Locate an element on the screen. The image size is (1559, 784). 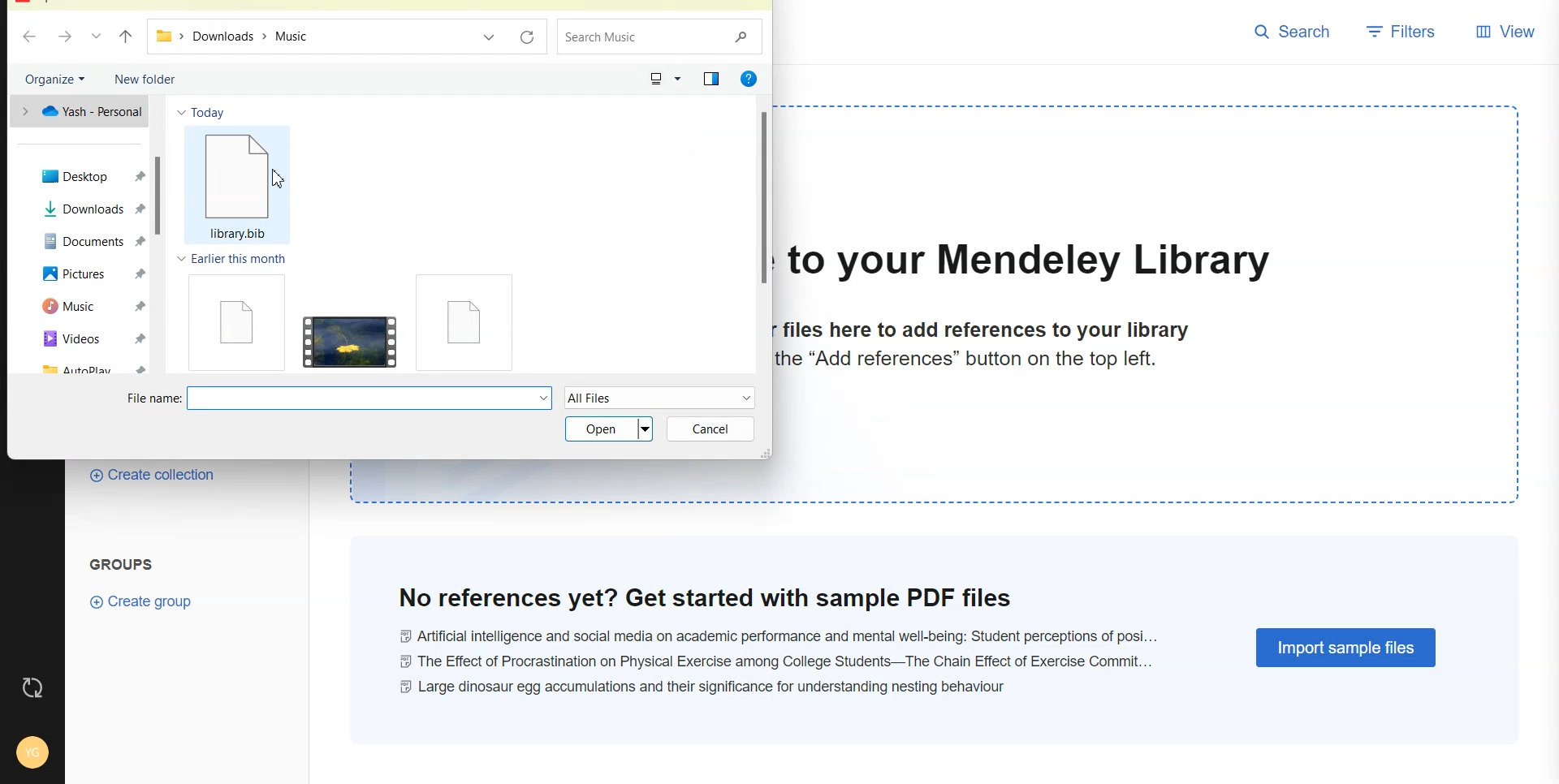
Pictures is located at coordinates (78, 269).